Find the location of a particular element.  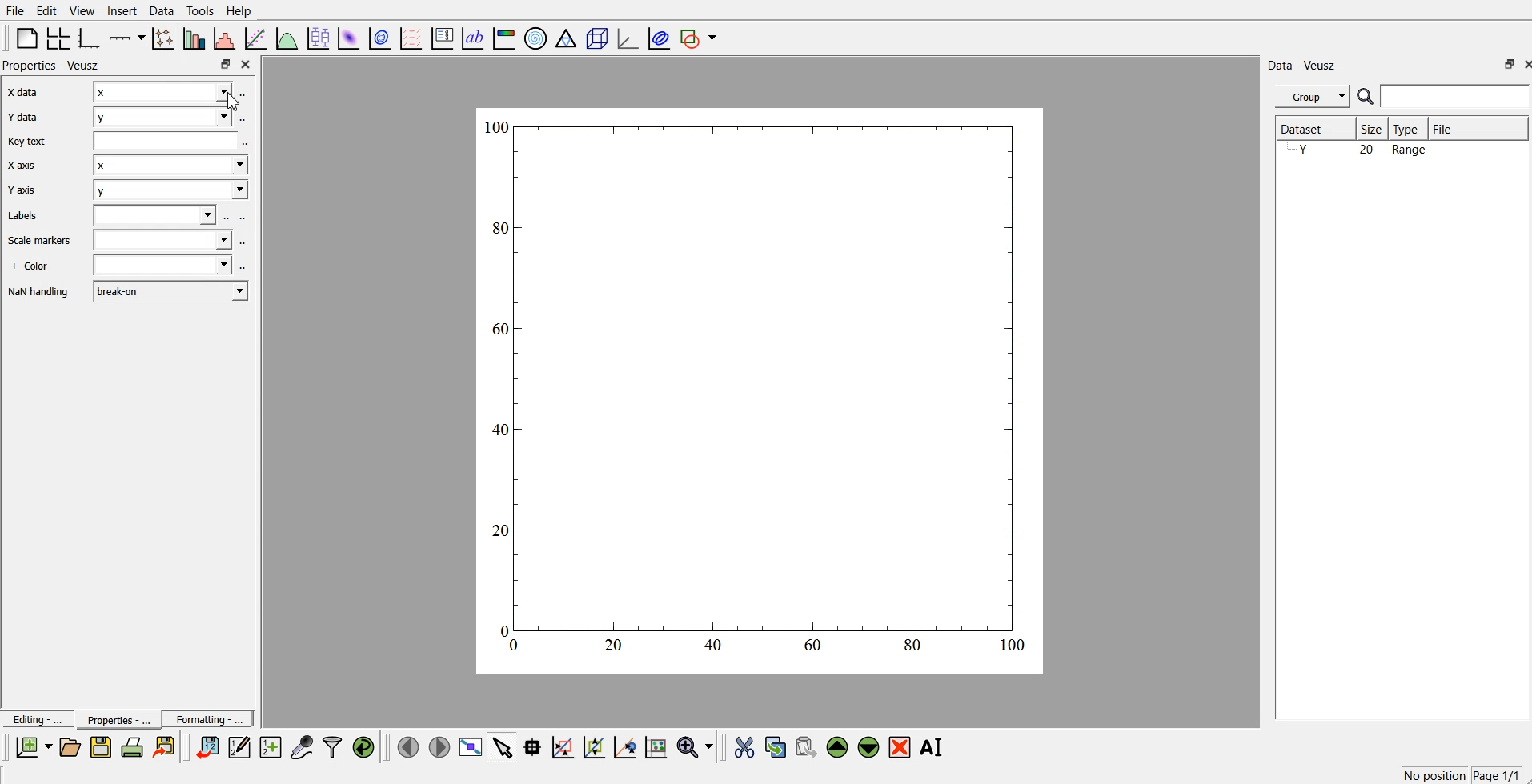

fit a function to data is located at coordinates (256, 38).